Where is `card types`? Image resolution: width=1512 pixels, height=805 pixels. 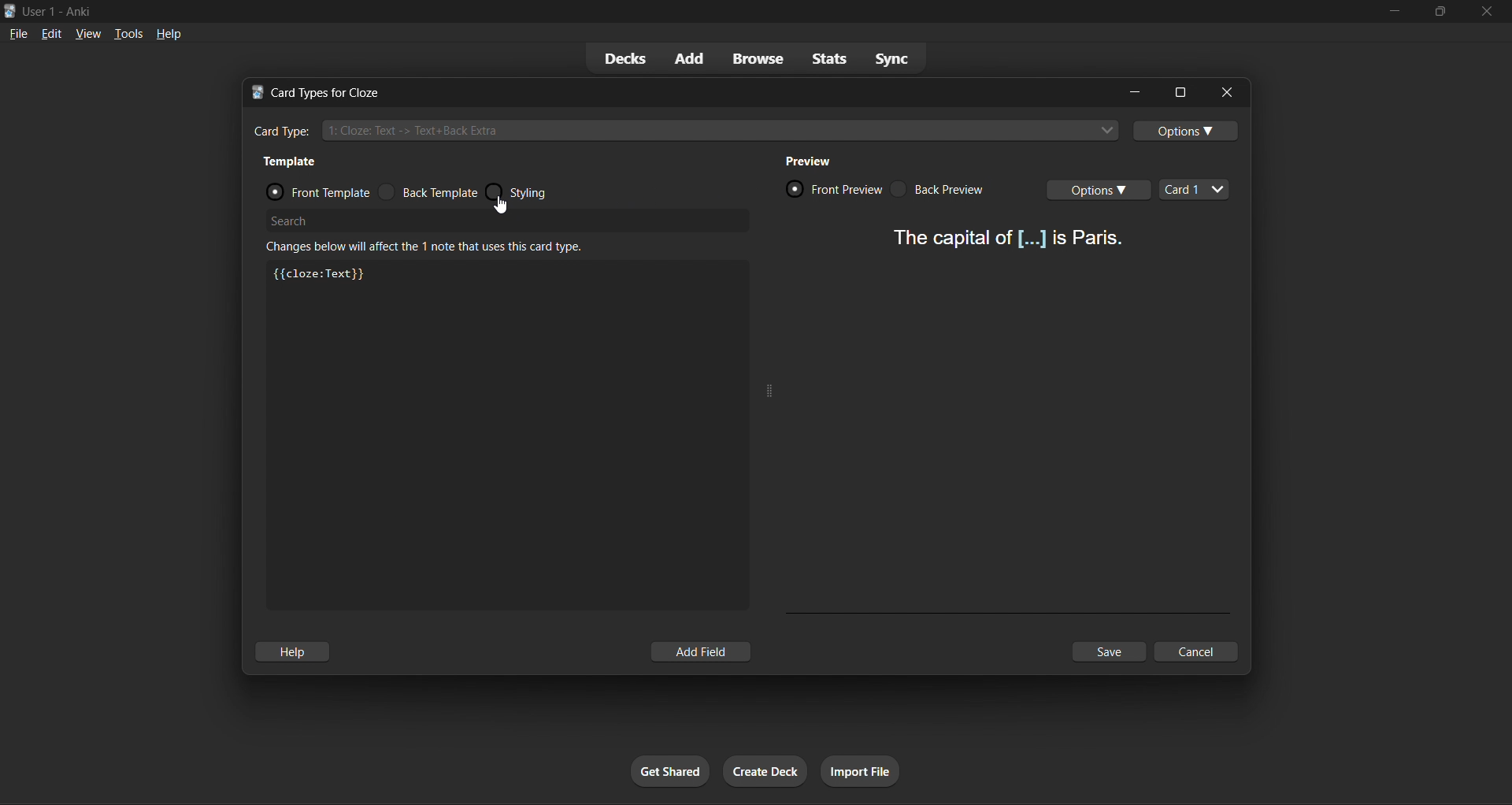 card types is located at coordinates (1194, 188).